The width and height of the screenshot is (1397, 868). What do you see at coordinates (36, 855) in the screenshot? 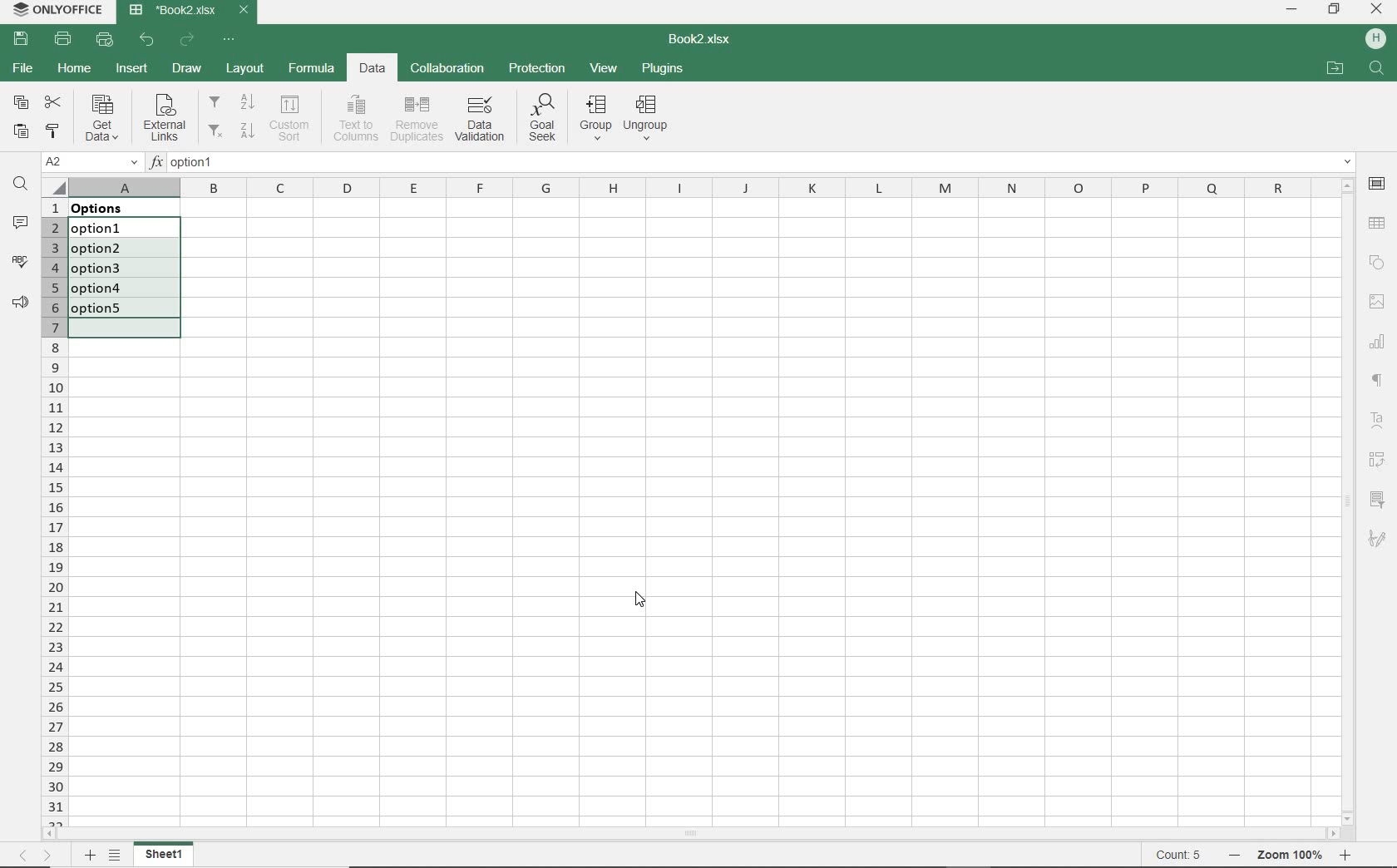
I see `MOVE ACROSS THE SHEET` at bounding box center [36, 855].